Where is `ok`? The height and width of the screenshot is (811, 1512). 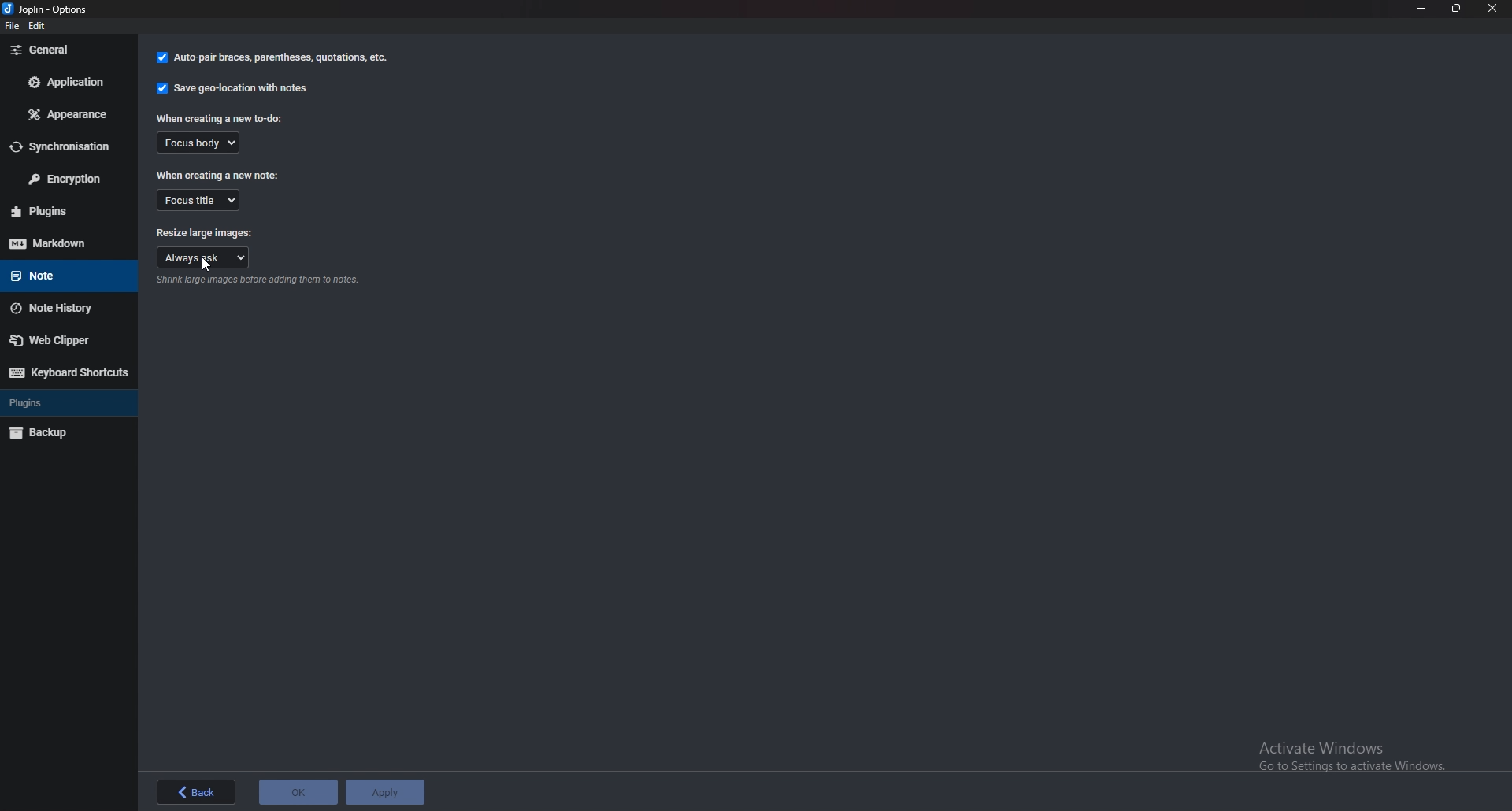 ok is located at coordinates (298, 791).